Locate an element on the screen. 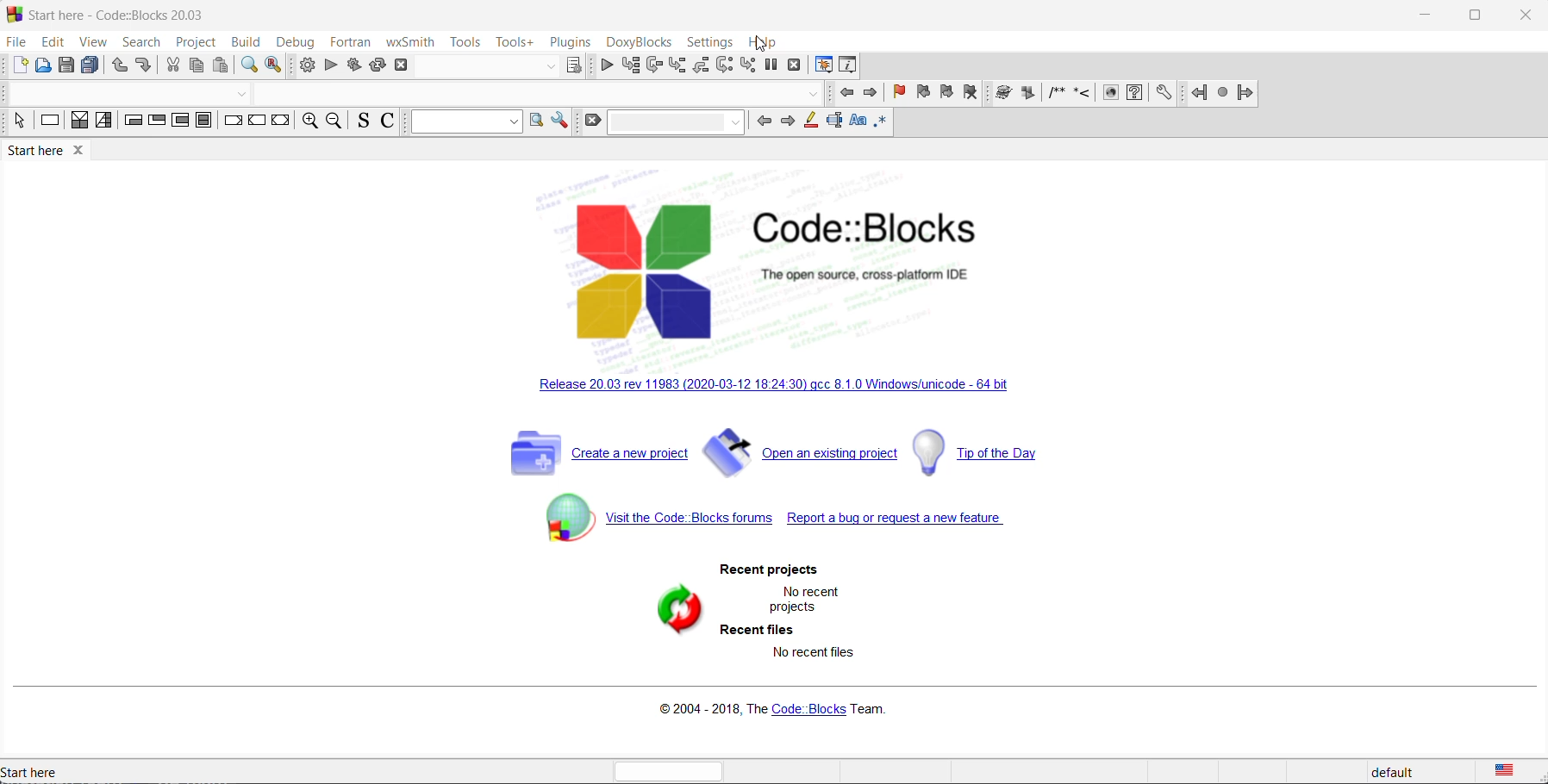 The image size is (1548, 784). abort is located at coordinates (402, 66).